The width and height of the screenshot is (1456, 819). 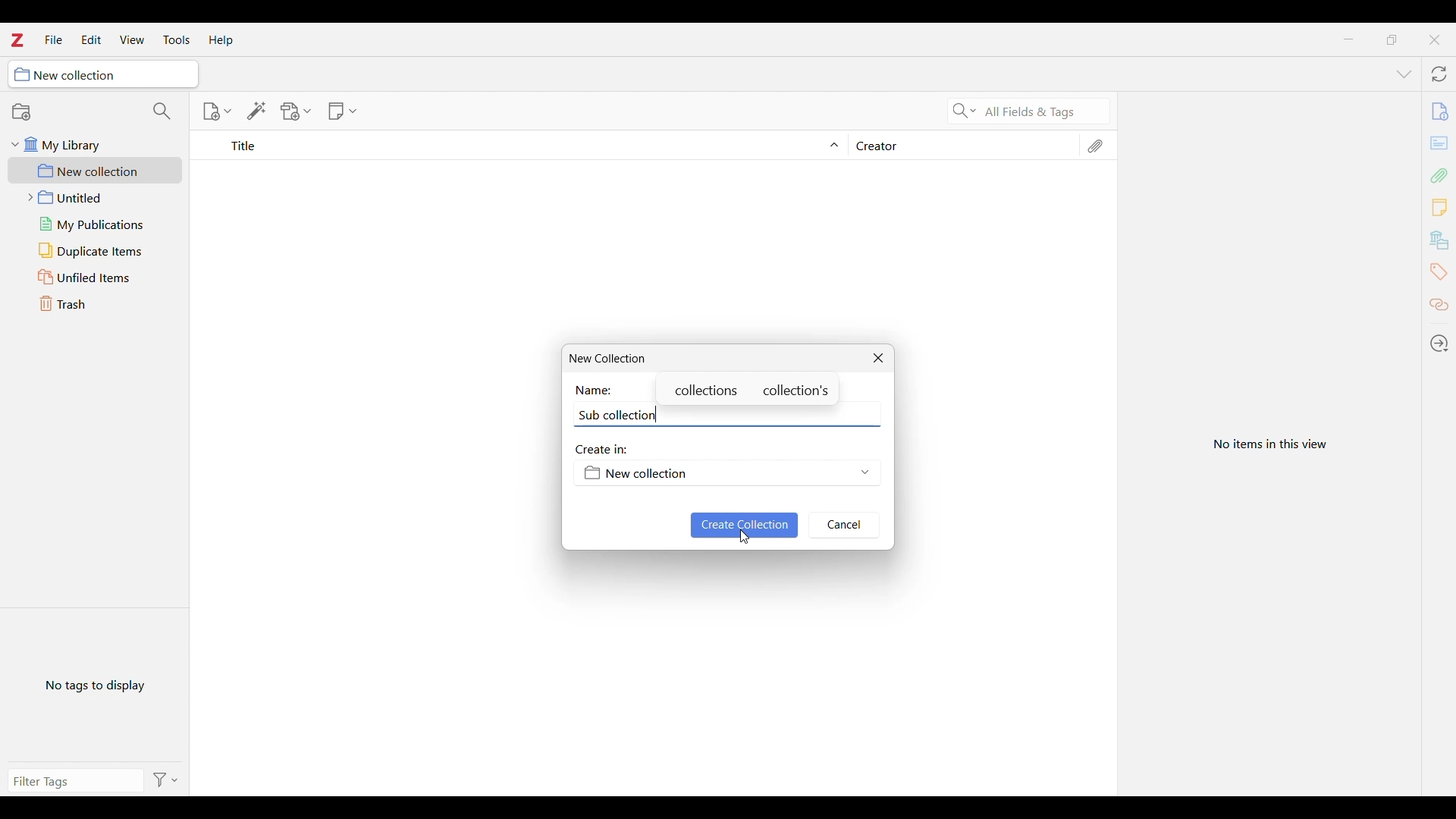 What do you see at coordinates (965, 110) in the screenshot?
I see `Search criteria options` at bounding box center [965, 110].